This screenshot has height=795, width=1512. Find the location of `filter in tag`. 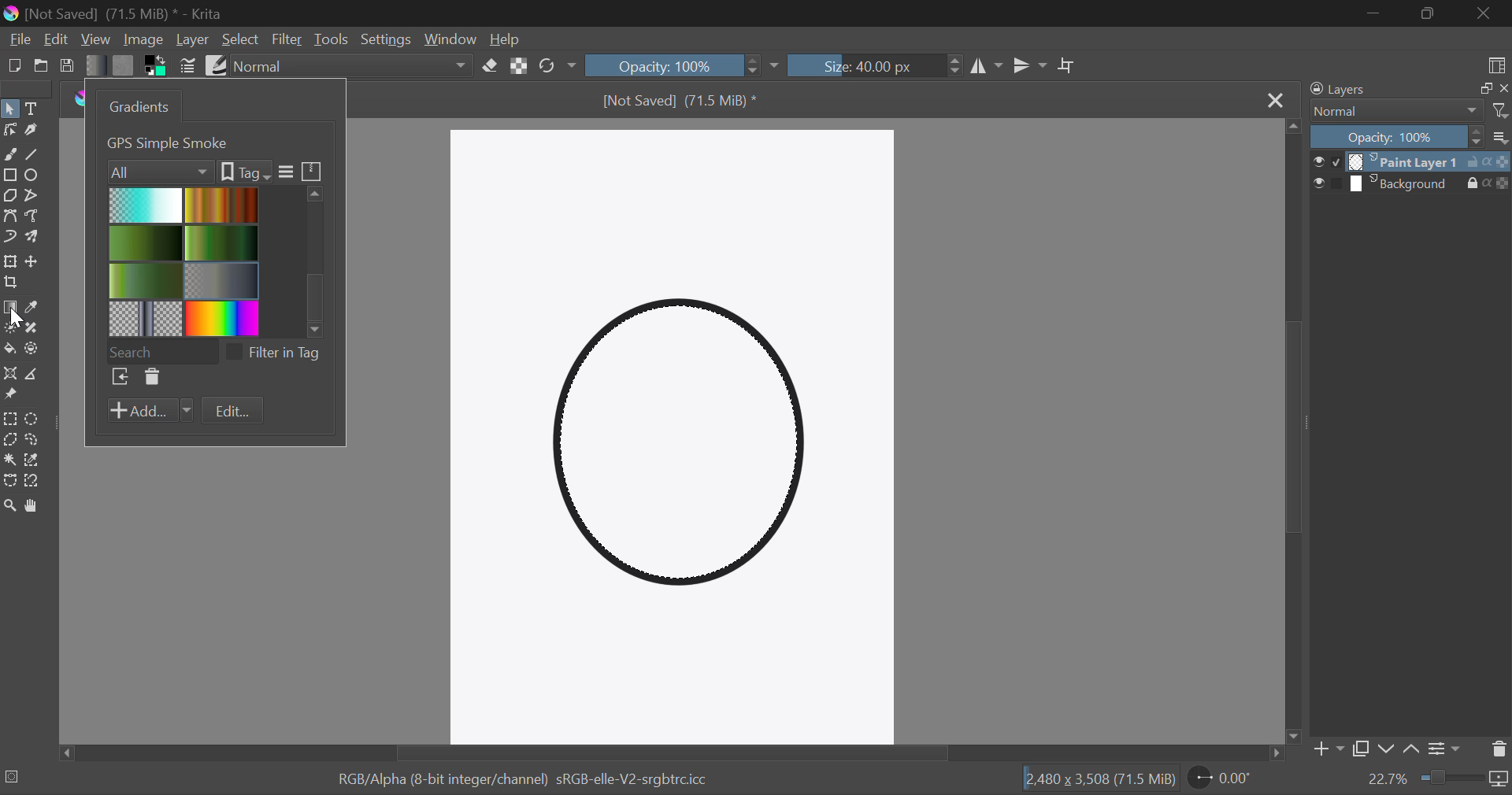

filter in tag is located at coordinates (286, 353).